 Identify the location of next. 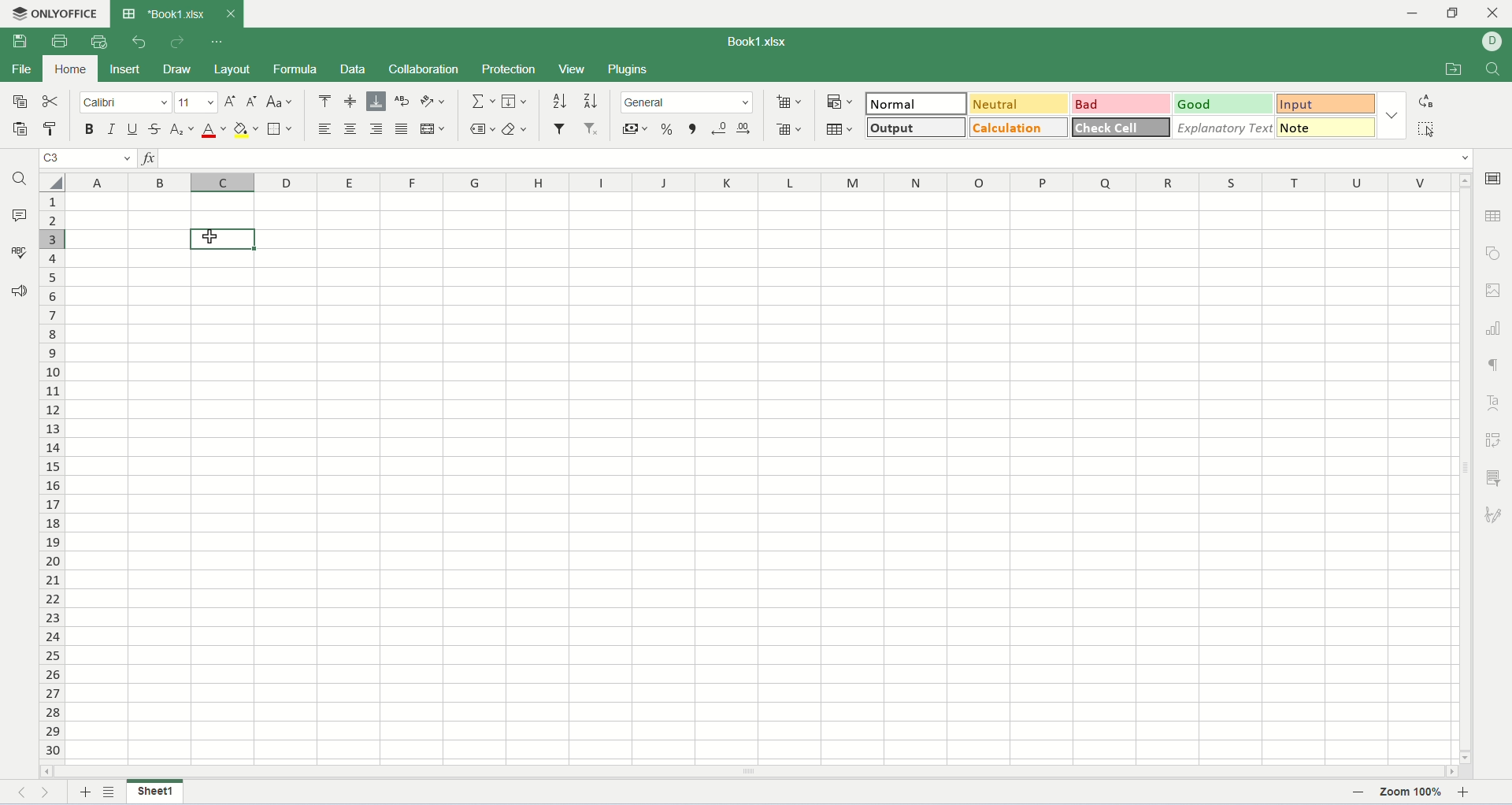
(45, 791).